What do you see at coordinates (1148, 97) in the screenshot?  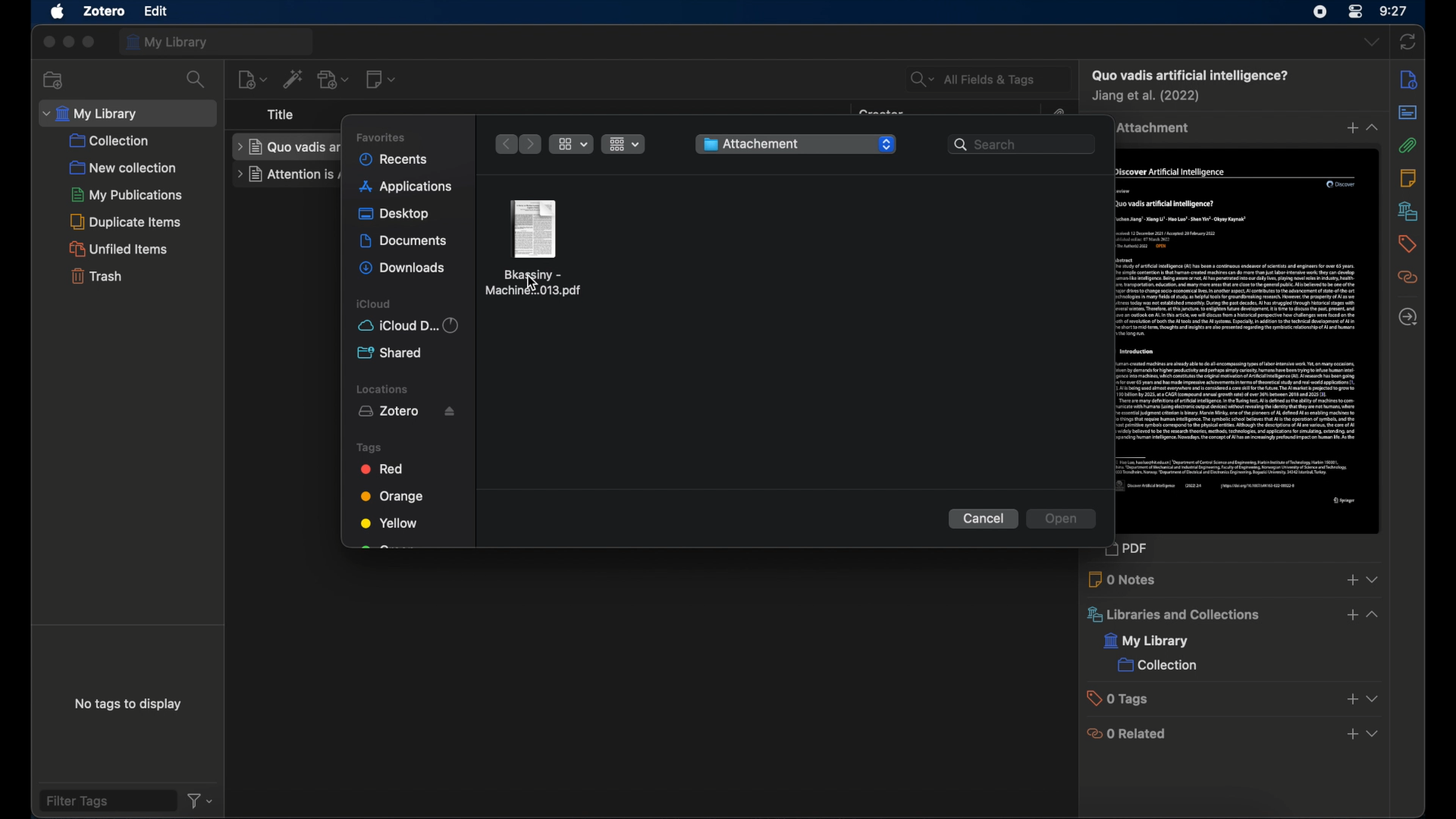 I see `creator` at bounding box center [1148, 97].